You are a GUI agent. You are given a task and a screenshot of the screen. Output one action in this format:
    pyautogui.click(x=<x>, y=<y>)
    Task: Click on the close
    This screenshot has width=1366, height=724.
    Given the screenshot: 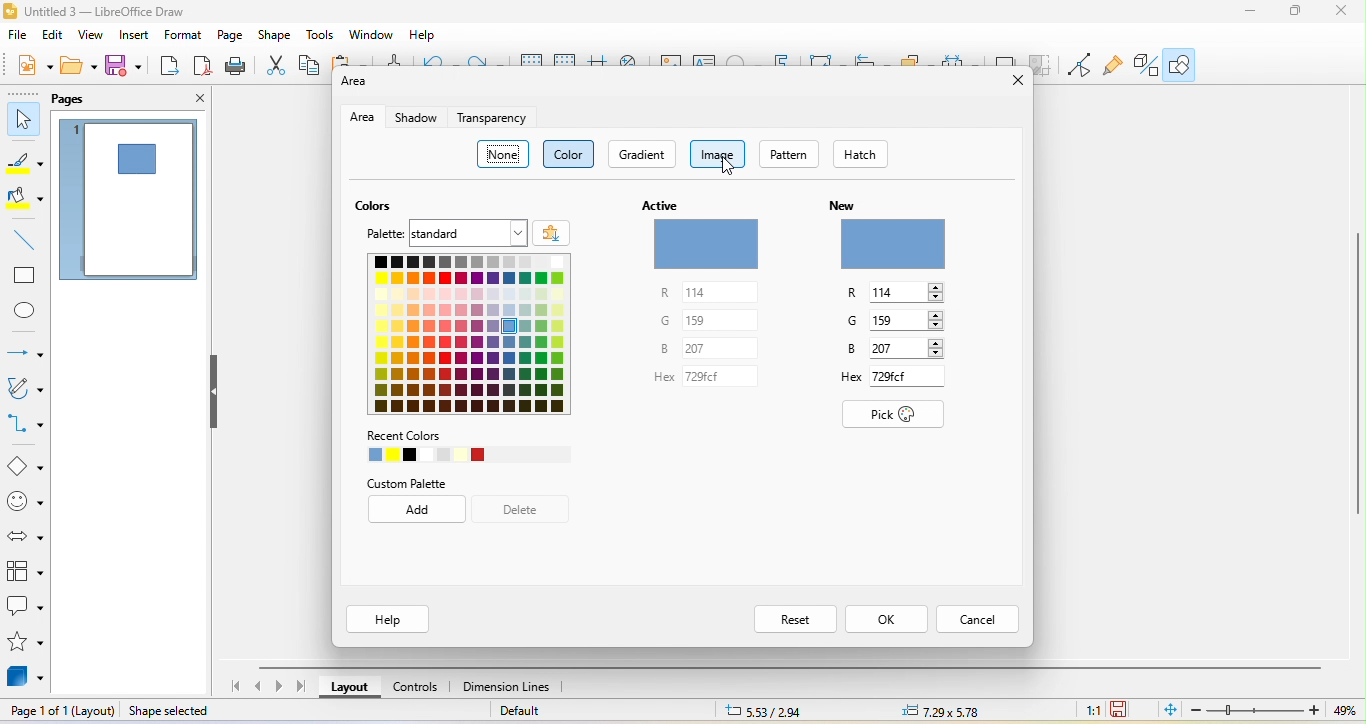 What is the action you would take?
    pyautogui.click(x=188, y=99)
    